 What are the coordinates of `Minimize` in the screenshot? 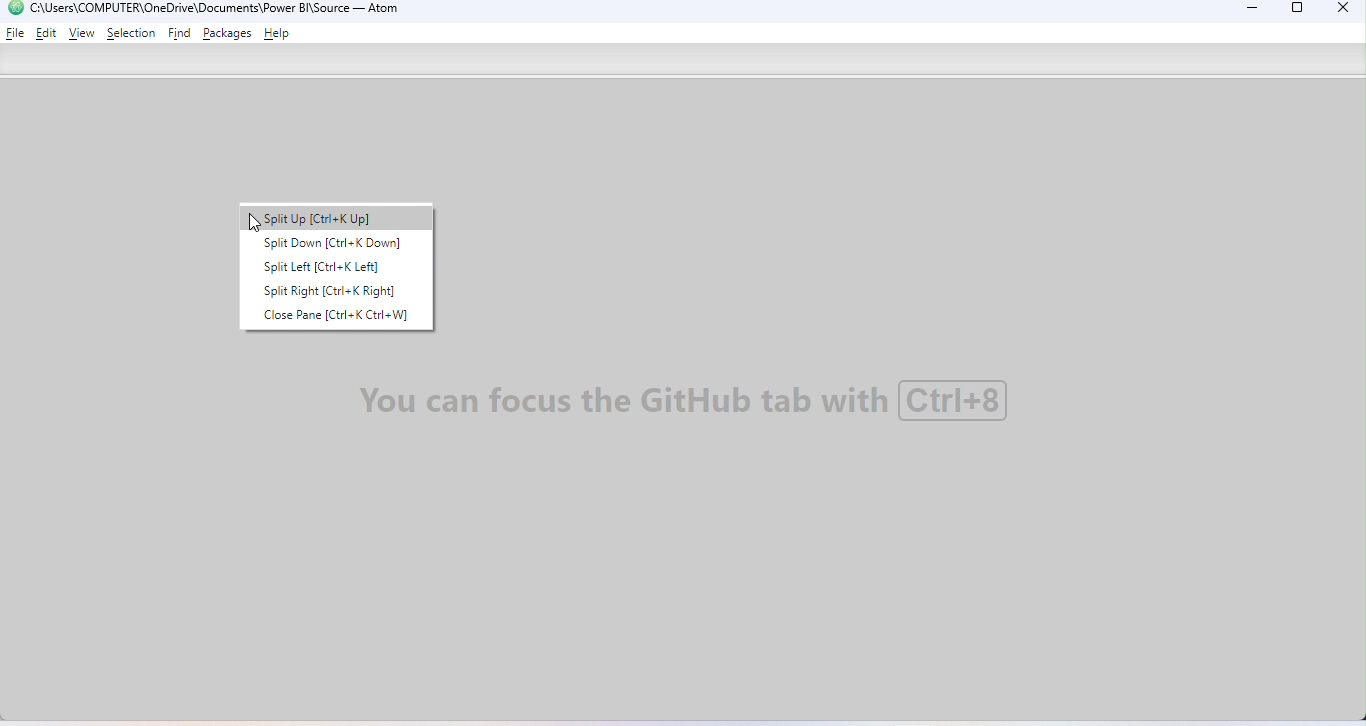 It's located at (1247, 11).